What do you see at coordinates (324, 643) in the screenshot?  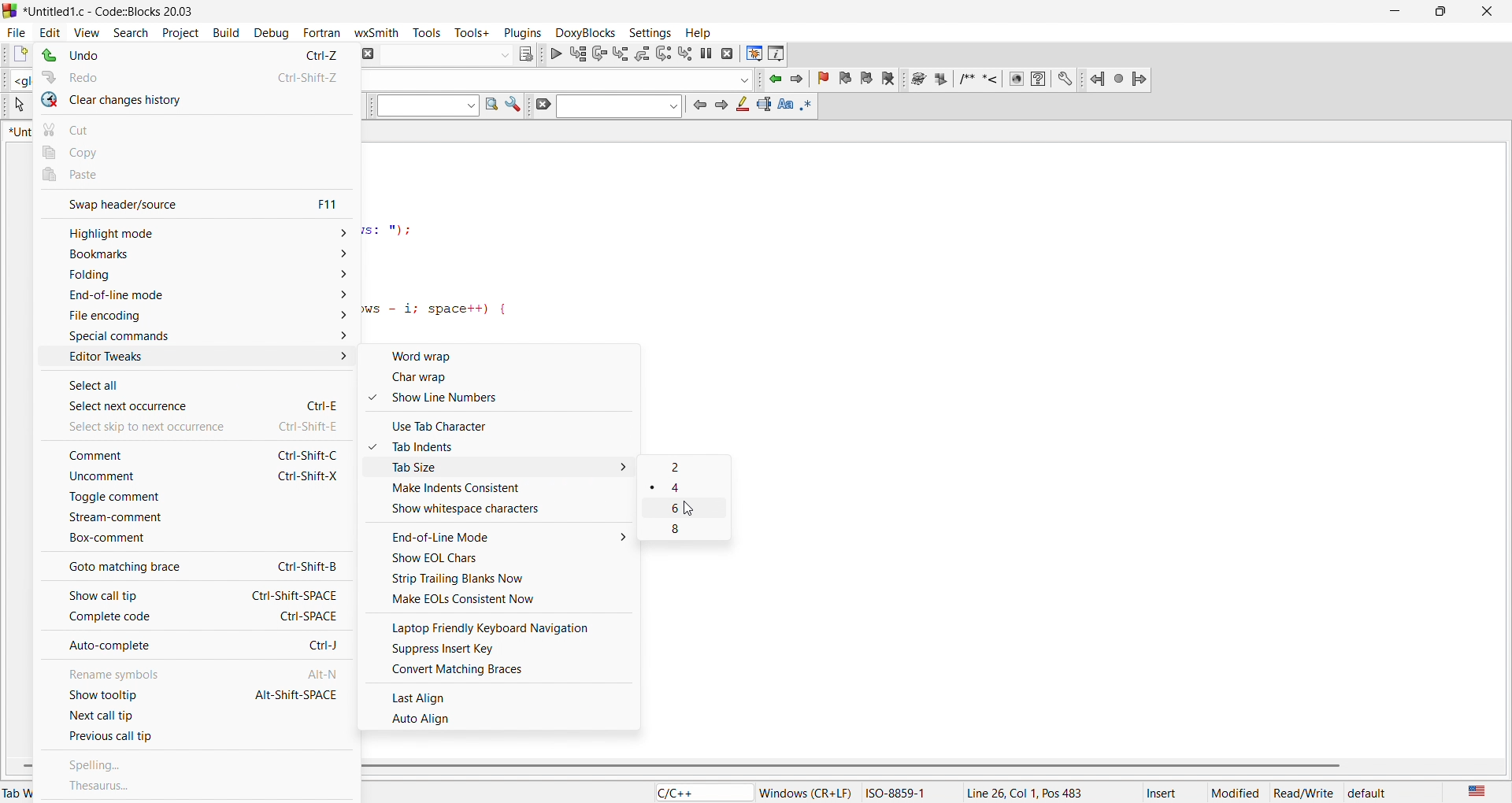 I see `Ctrl-j` at bounding box center [324, 643].